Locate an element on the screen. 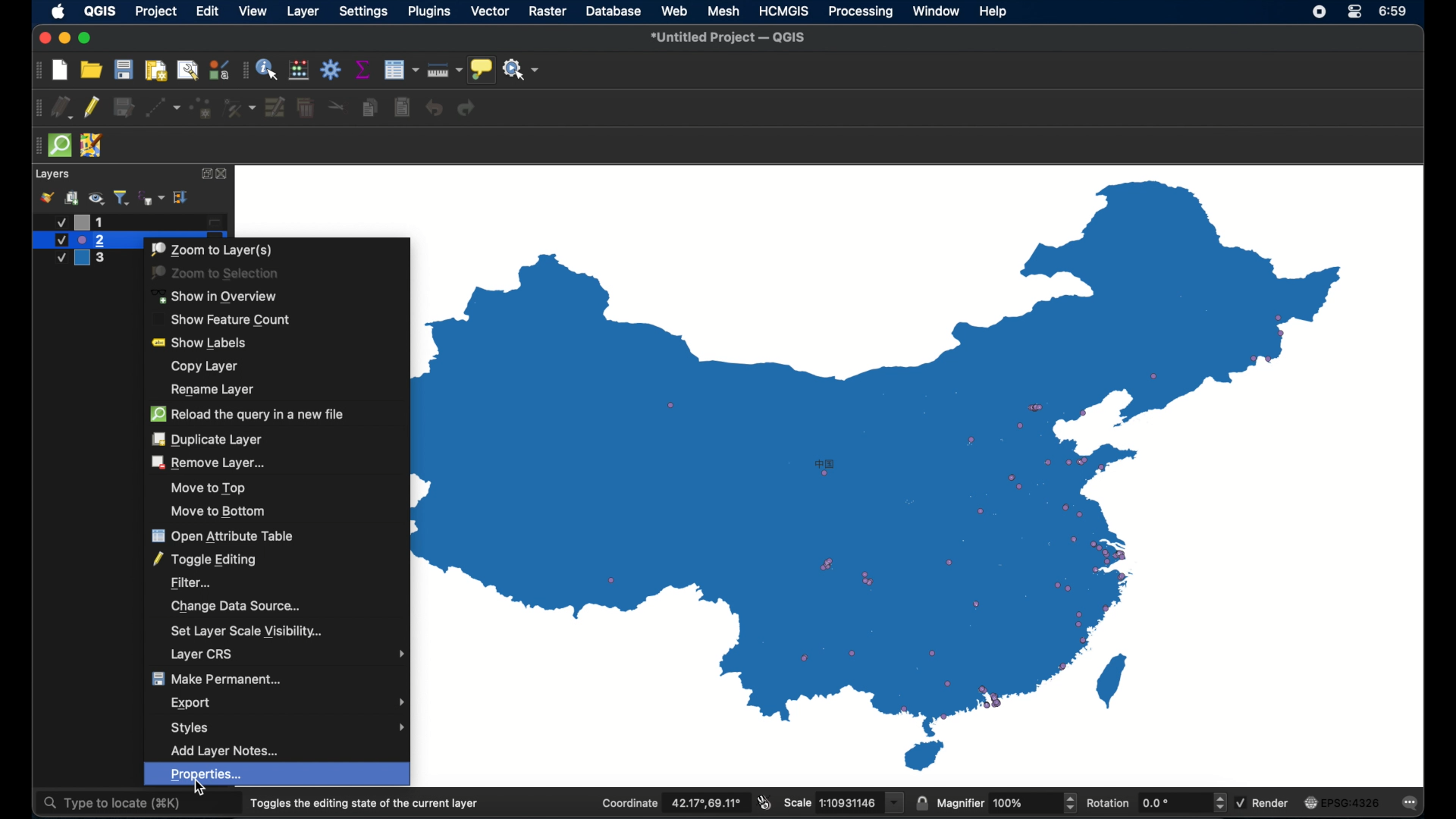 The height and width of the screenshot is (819, 1456). copy layer is located at coordinates (206, 367).